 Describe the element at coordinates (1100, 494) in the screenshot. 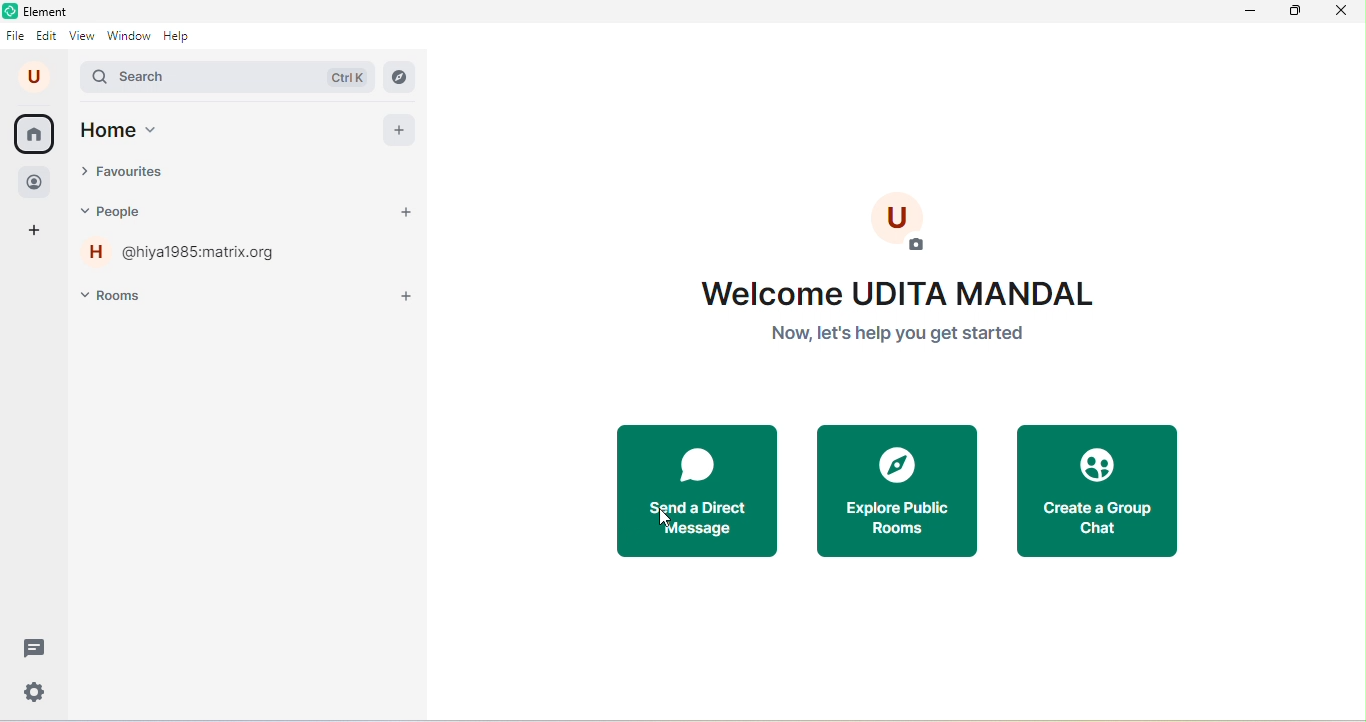

I see `create a group chat` at that location.